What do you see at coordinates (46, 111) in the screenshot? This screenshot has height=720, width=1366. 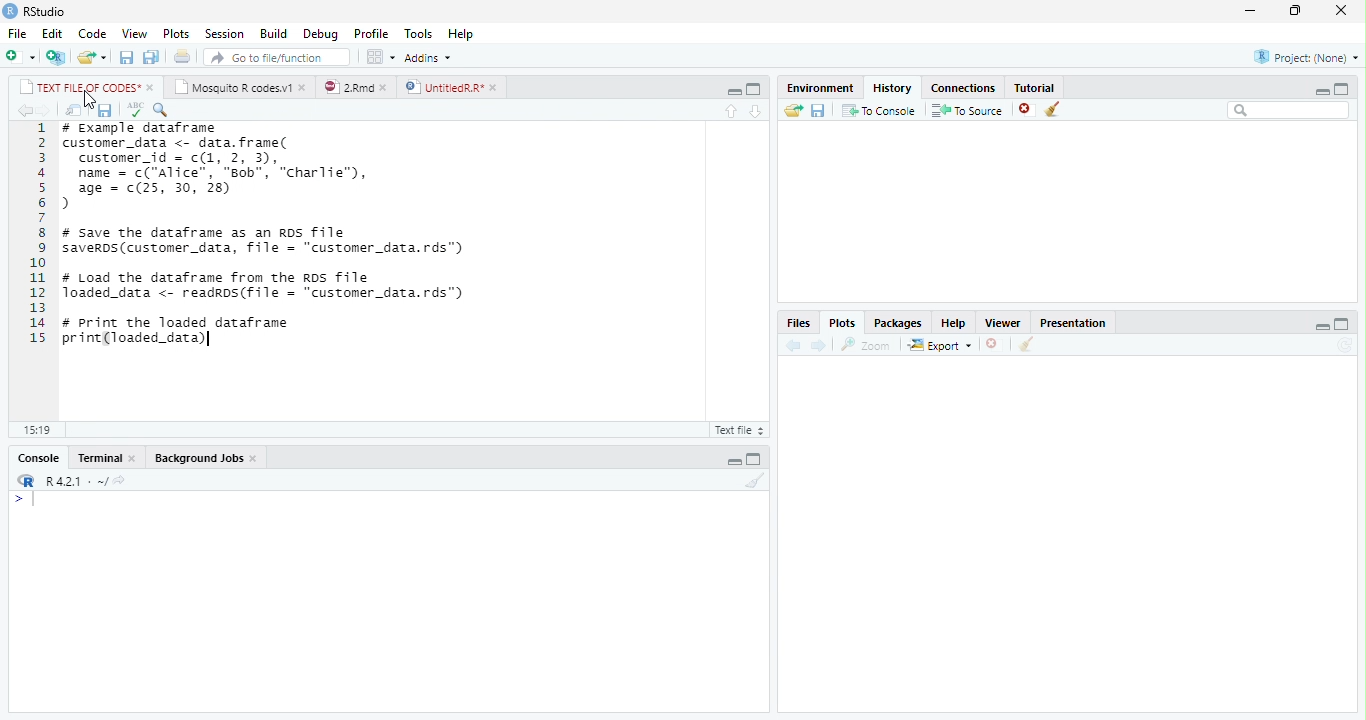 I see `forward` at bounding box center [46, 111].